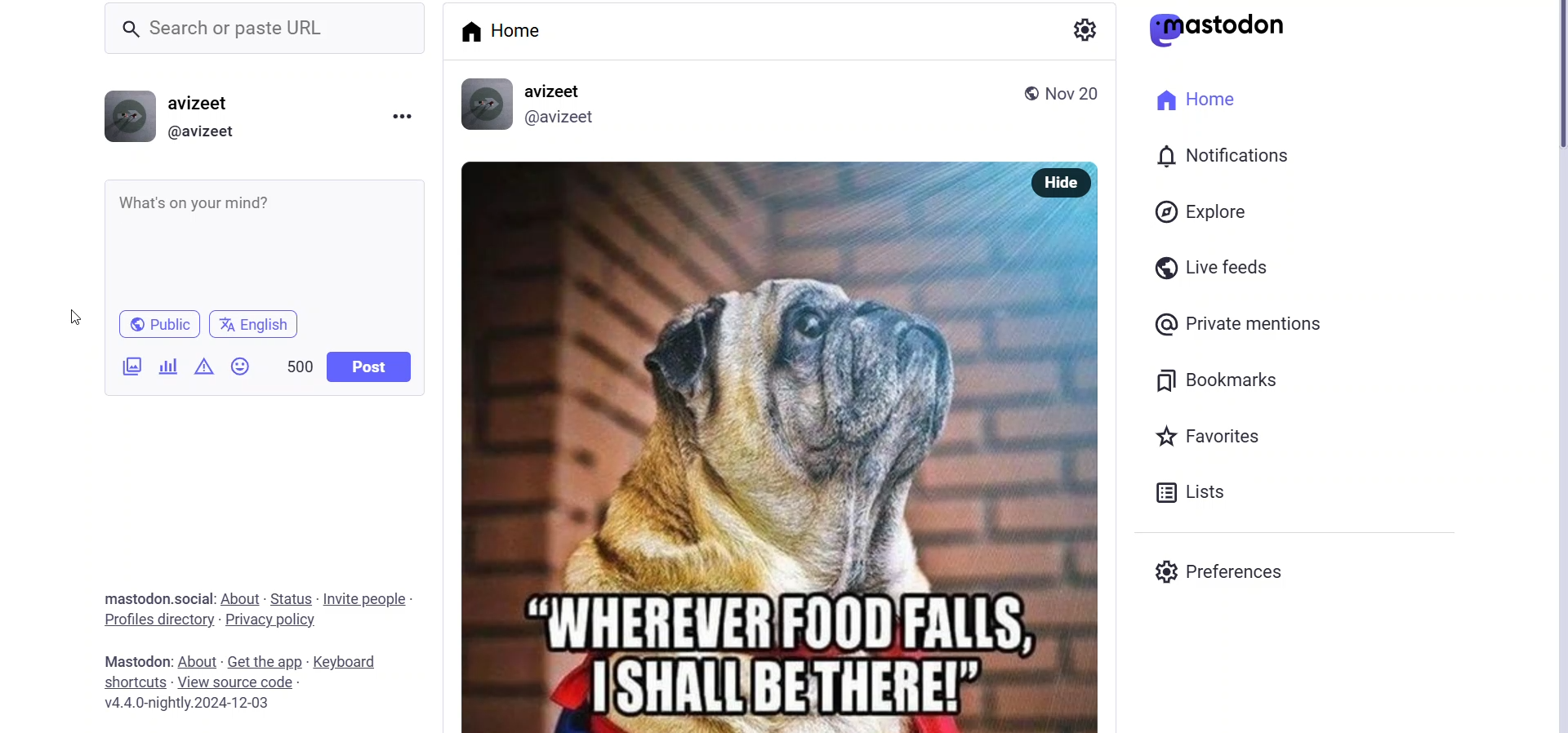  What do you see at coordinates (167, 366) in the screenshot?
I see `add a poll` at bounding box center [167, 366].